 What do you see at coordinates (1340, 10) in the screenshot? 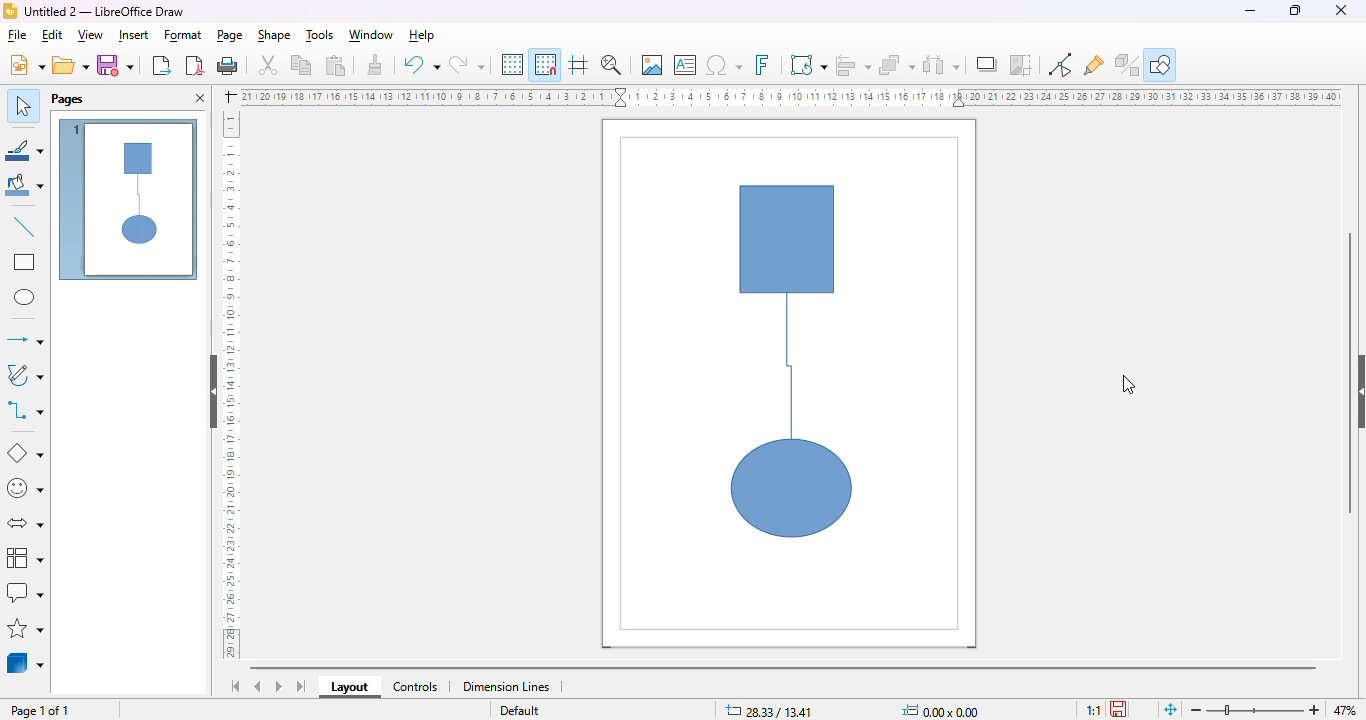
I see `close` at bounding box center [1340, 10].